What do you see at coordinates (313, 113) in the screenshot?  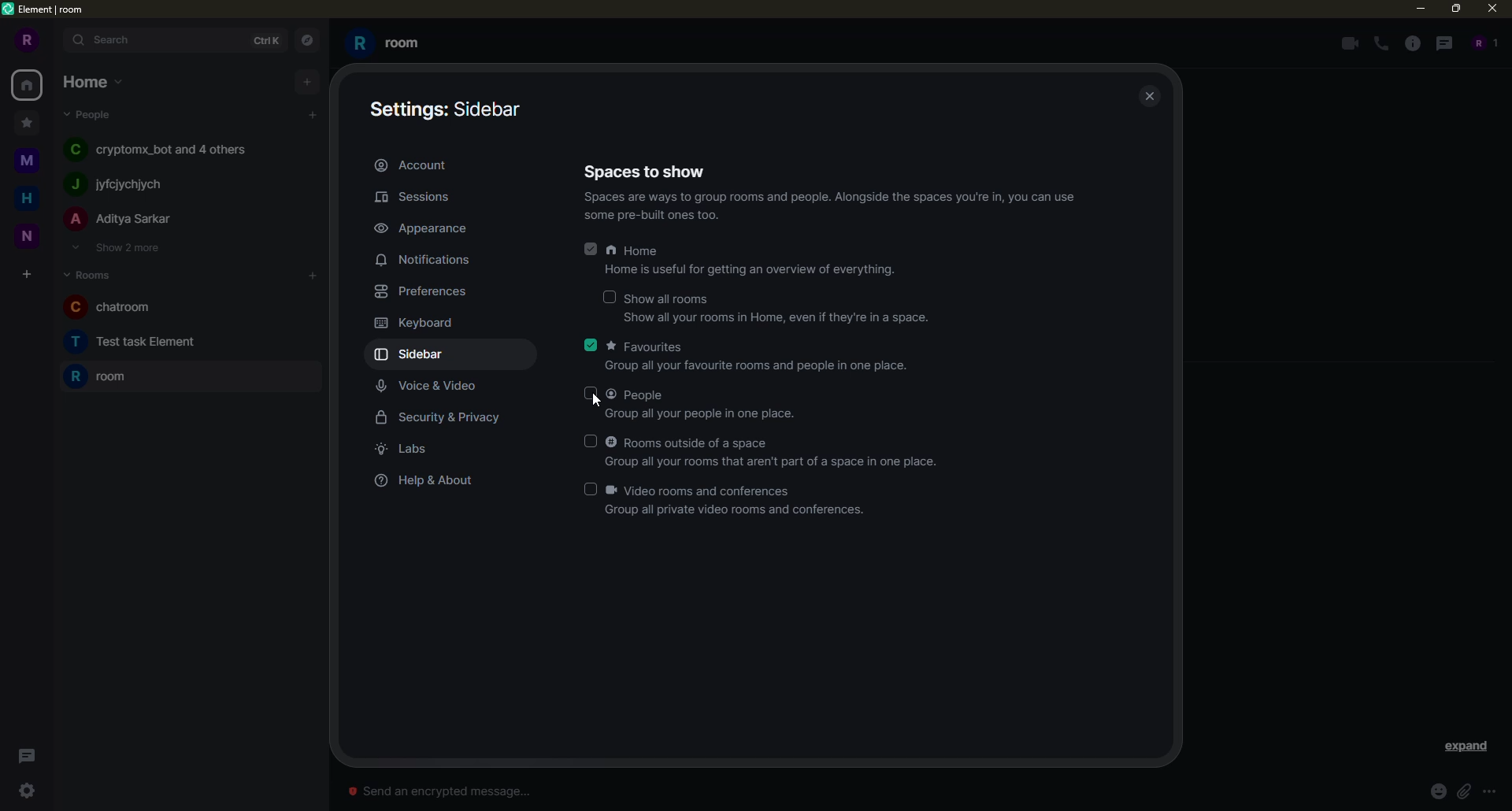 I see `add` at bounding box center [313, 113].